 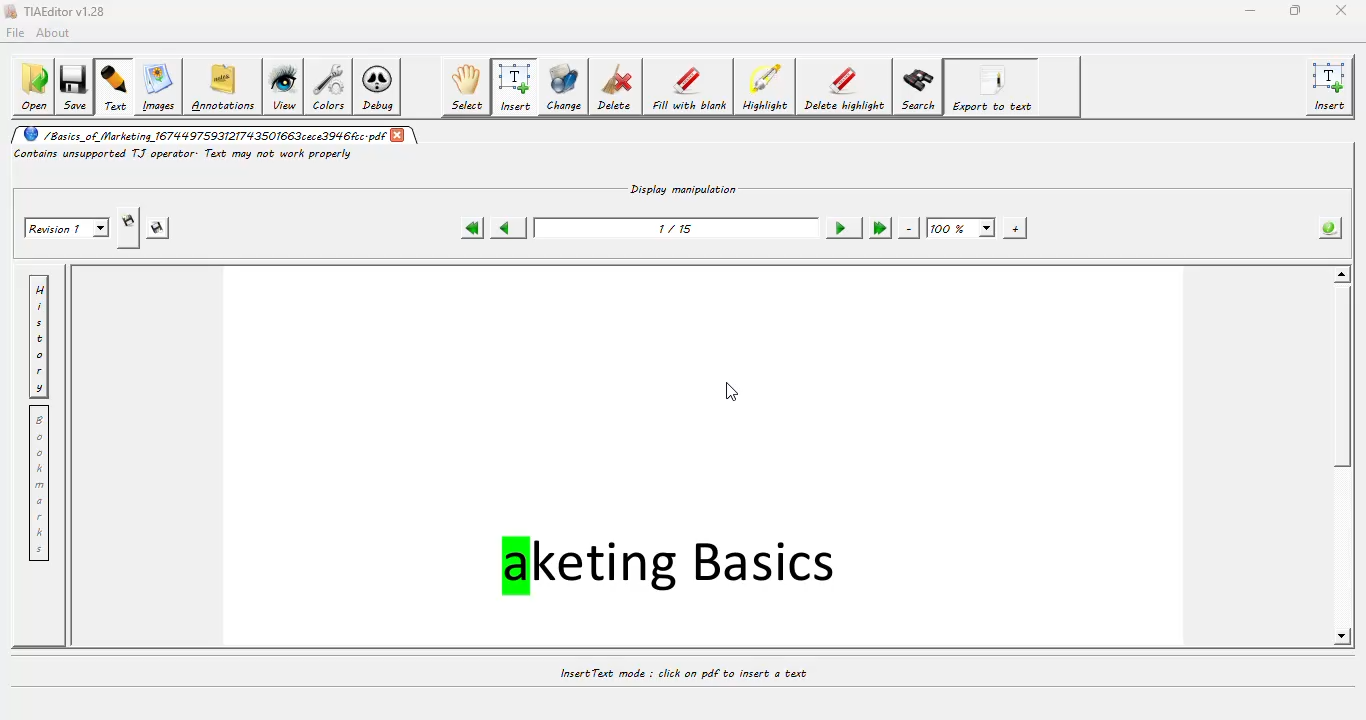 What do you see at coordinates (564, 88) in the screenshot?
I see `change` at bounding box center [564, 88].